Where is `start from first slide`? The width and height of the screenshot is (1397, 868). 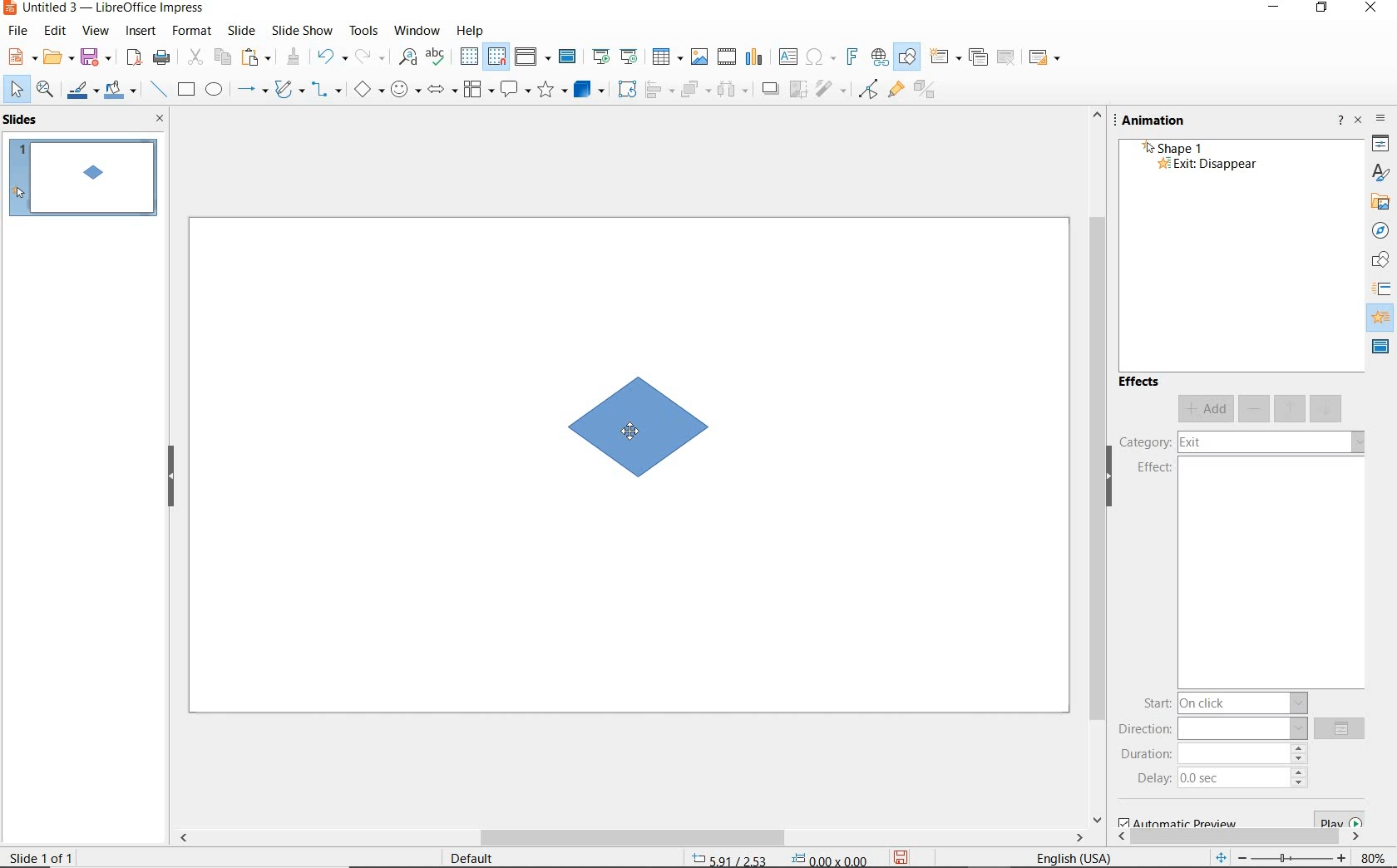
start from first slide is located at coordinates (602, 57).